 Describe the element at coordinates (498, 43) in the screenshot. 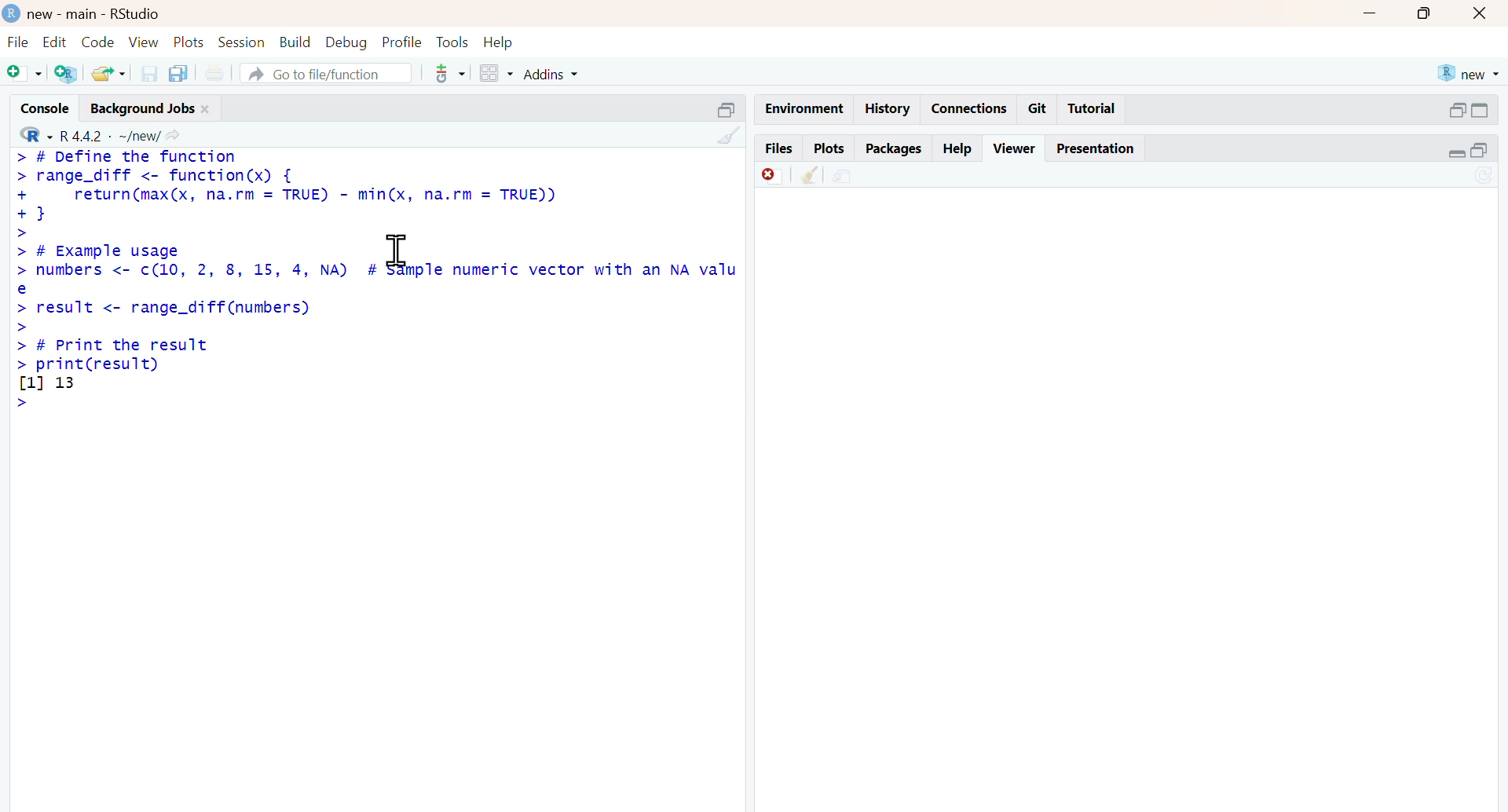

I see `help` at that location.